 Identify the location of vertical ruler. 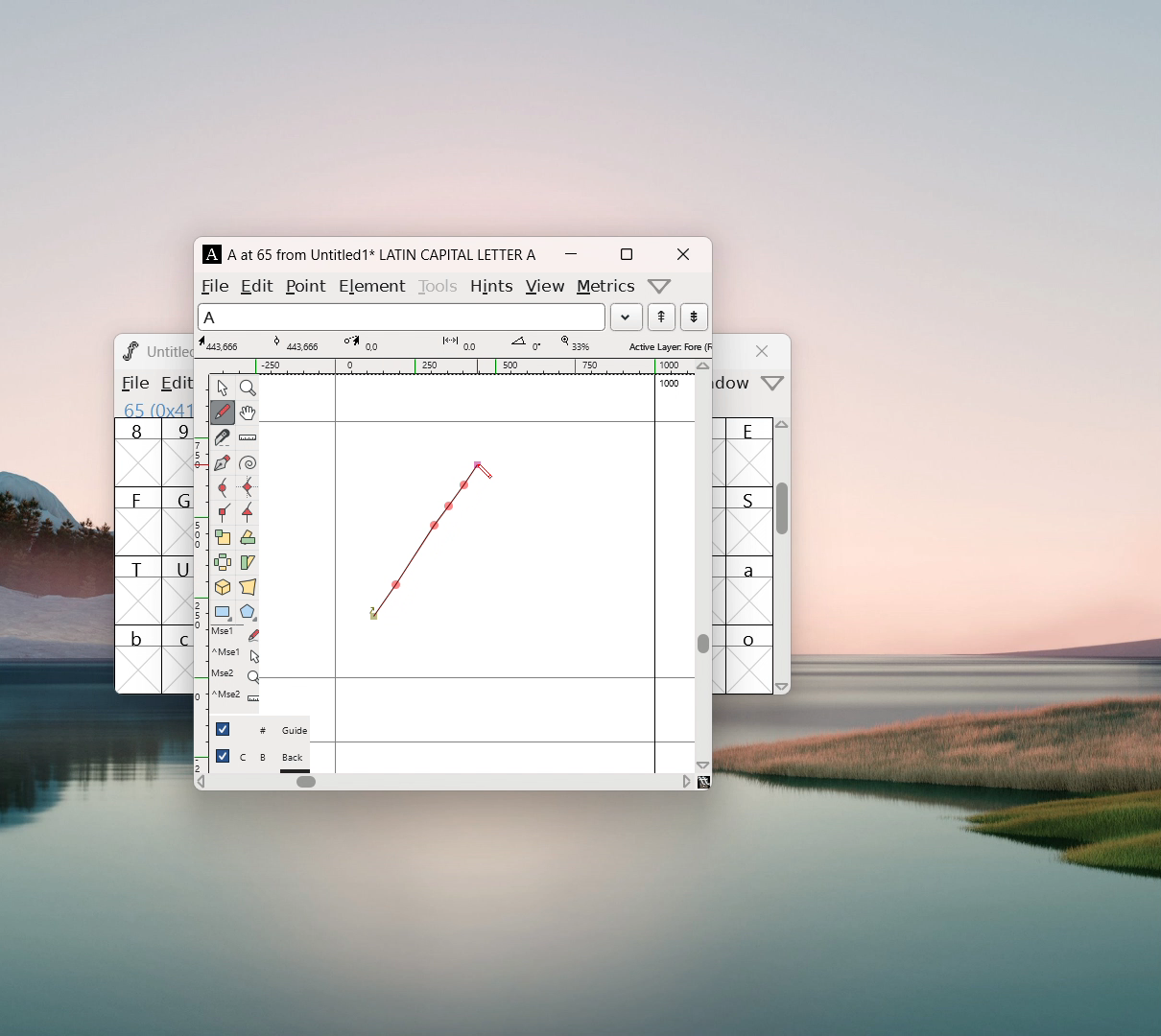
(201, 572).